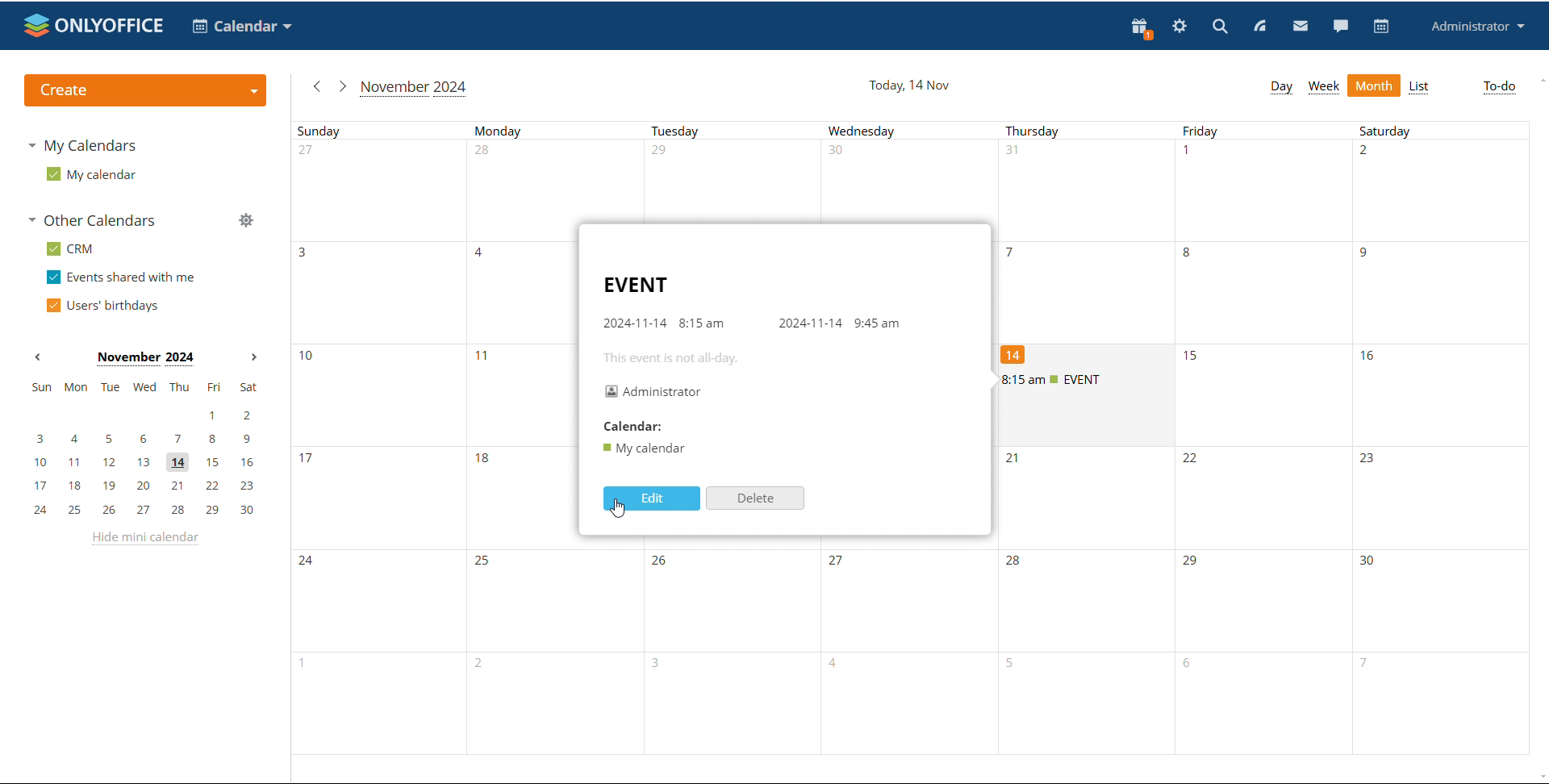 The image size is (1549, 784). Describe the element at coordinates (1087, 379) in the screenshot. I see `upcoming event On Thursday 14th November` at that location.